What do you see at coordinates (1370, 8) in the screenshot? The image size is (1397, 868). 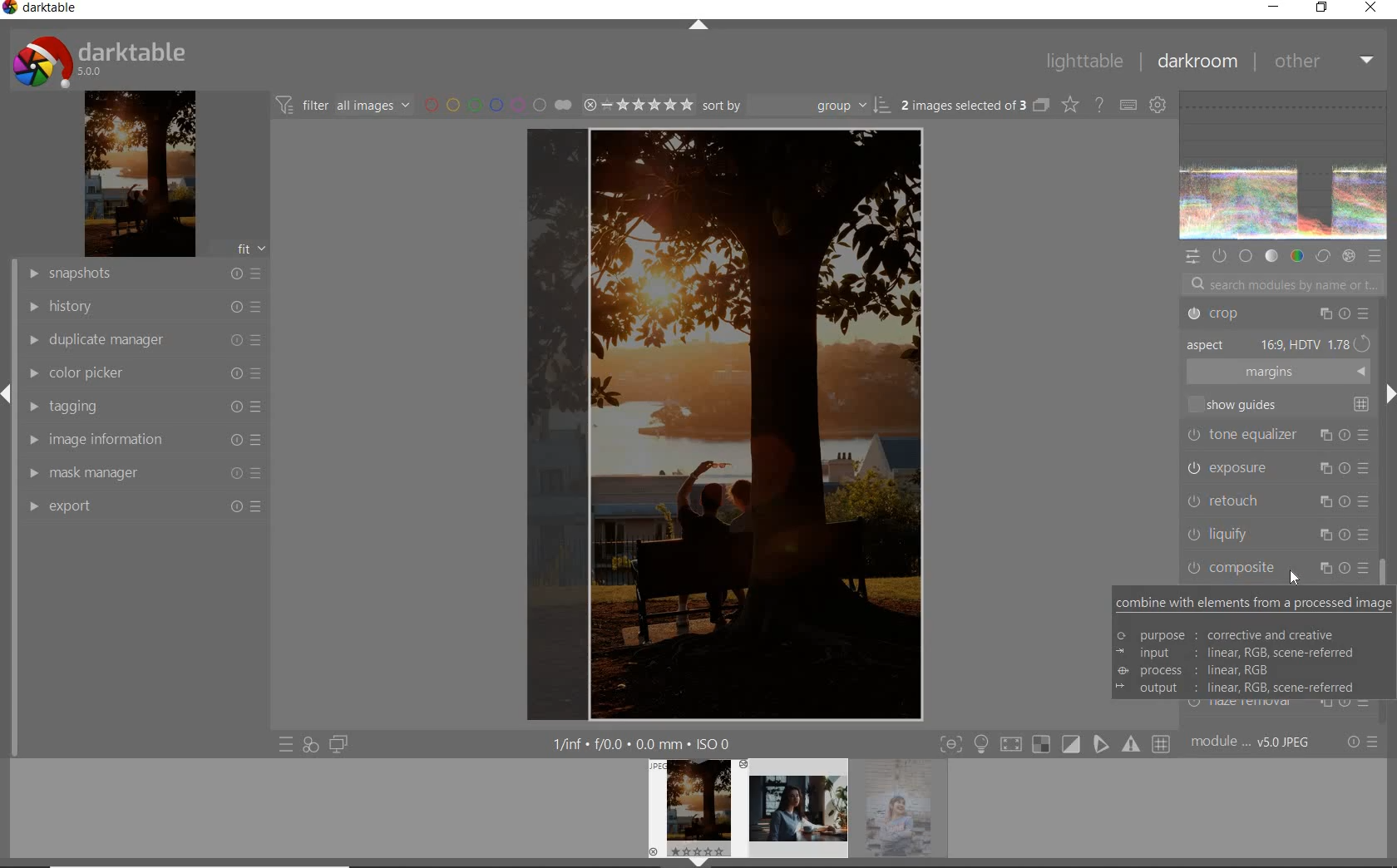 I see `close` at bounding box center [1370, 8].